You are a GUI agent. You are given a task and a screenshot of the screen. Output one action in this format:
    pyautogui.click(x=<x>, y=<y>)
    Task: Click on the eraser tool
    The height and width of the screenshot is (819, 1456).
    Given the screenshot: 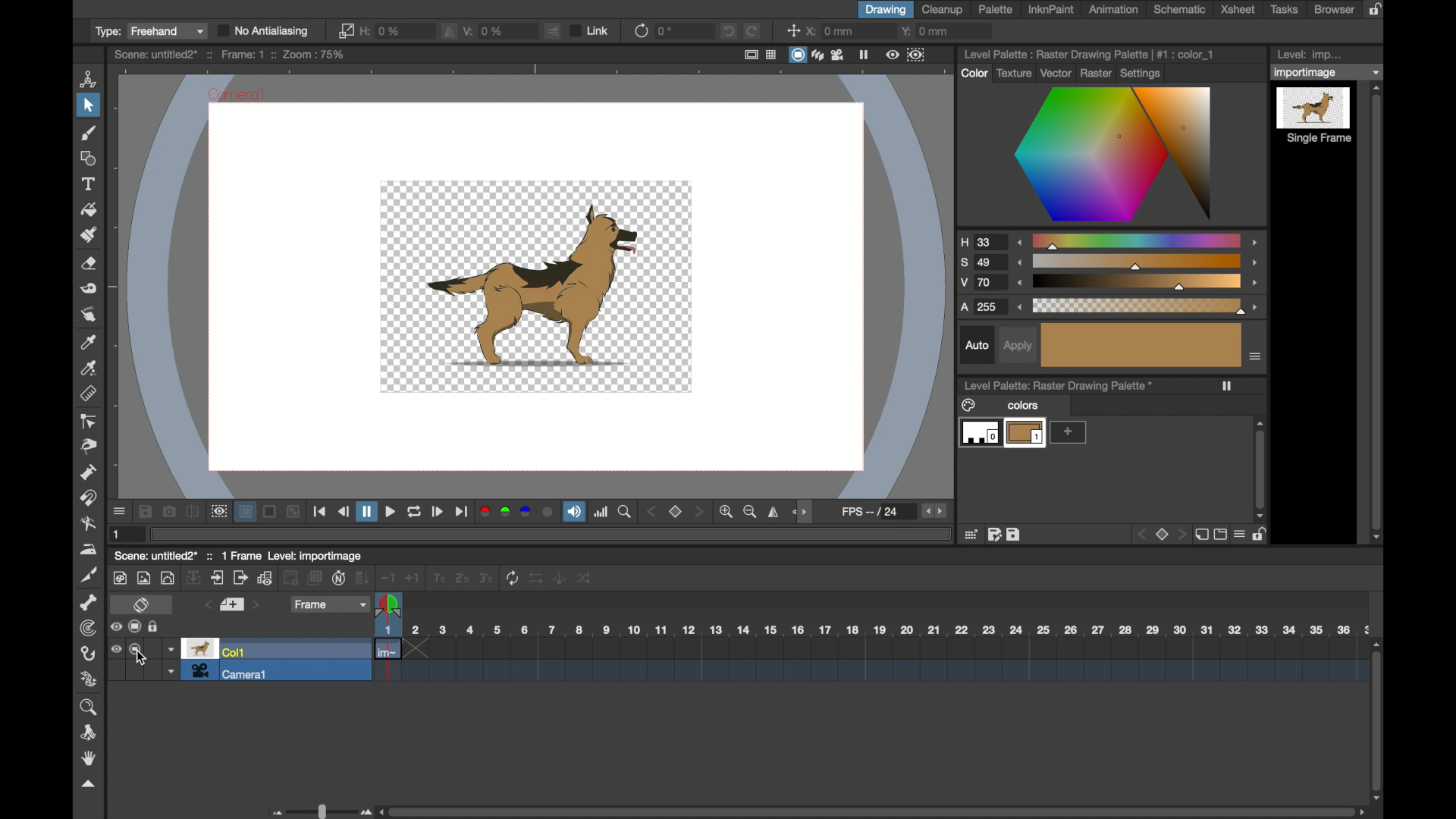 What is the action you would take?
    pyautogui.click(x=88, y=265)
    